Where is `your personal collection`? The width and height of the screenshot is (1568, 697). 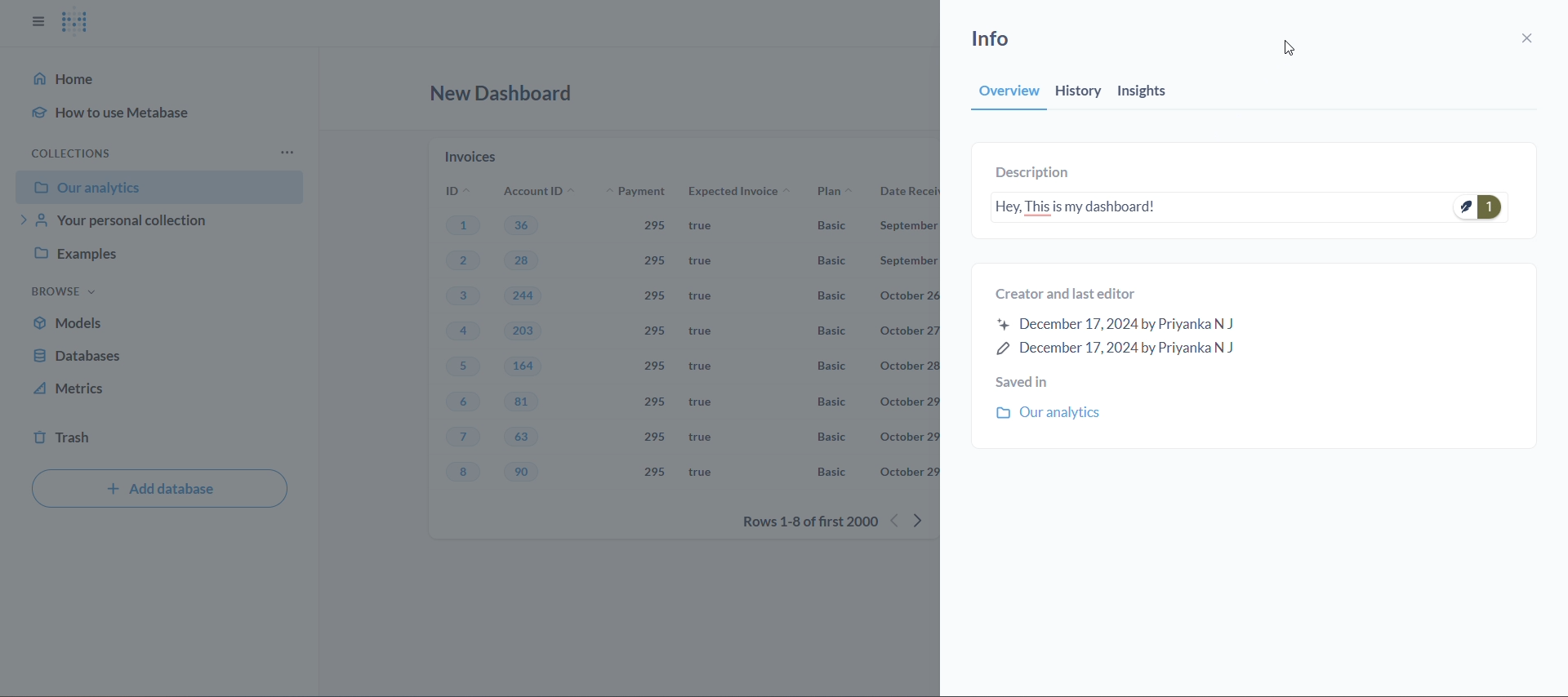
your personal collection is located at coordinates (158, 223).